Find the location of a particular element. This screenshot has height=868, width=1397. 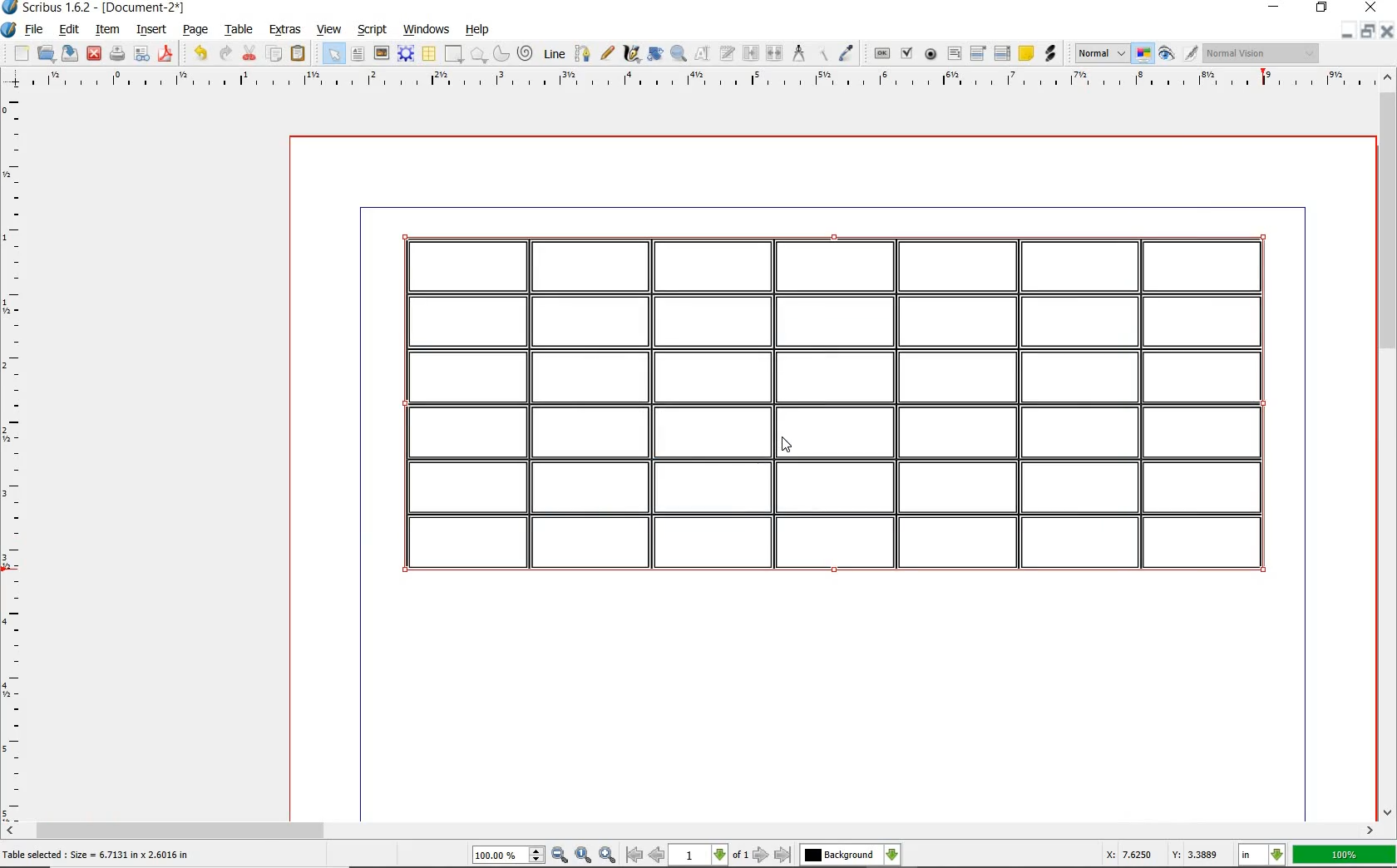

undo is located at coordinates (201, 54).